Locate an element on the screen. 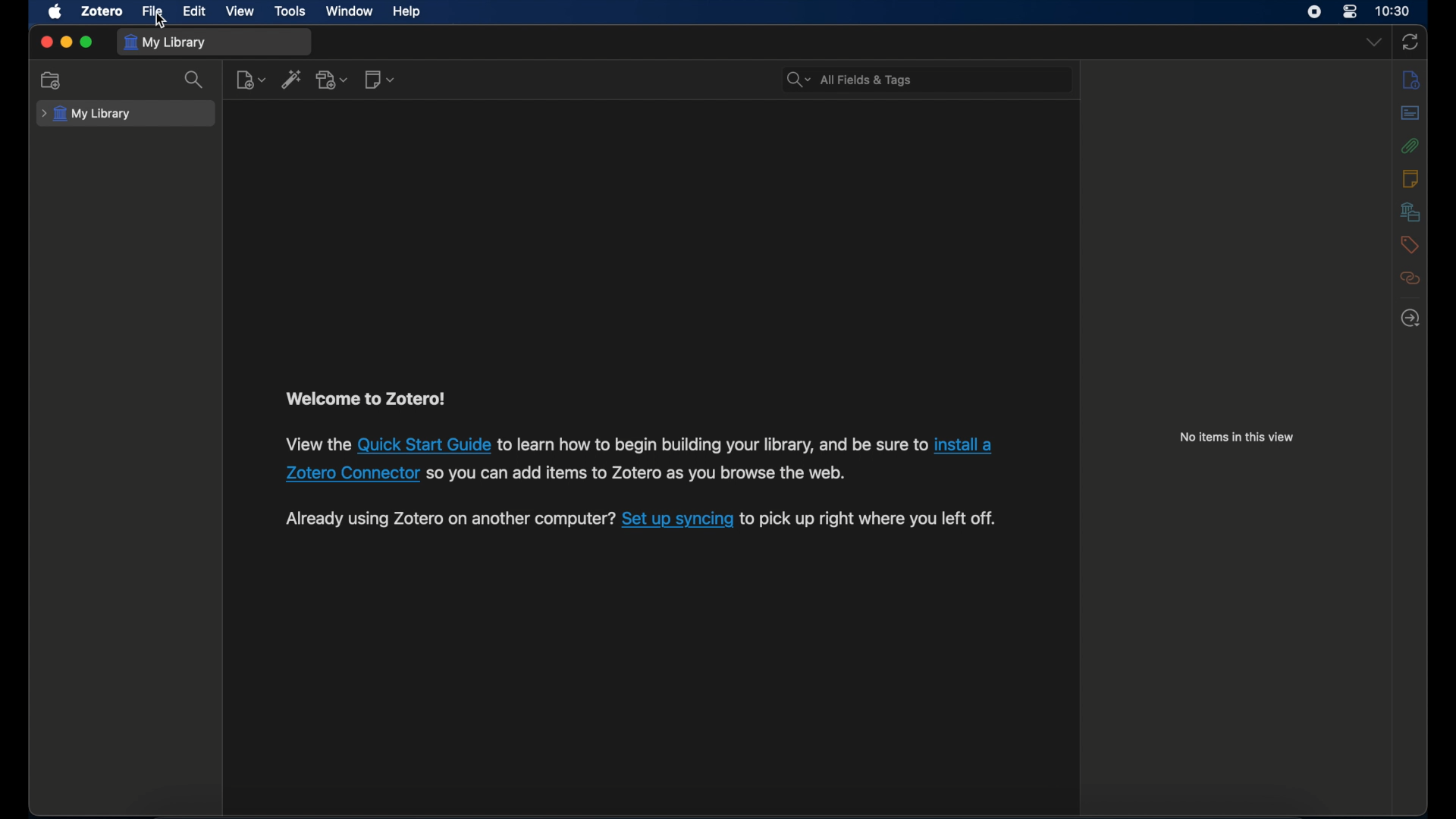 This screenshot has width=1456, height=819. tools is located at coordinates (290, 11).